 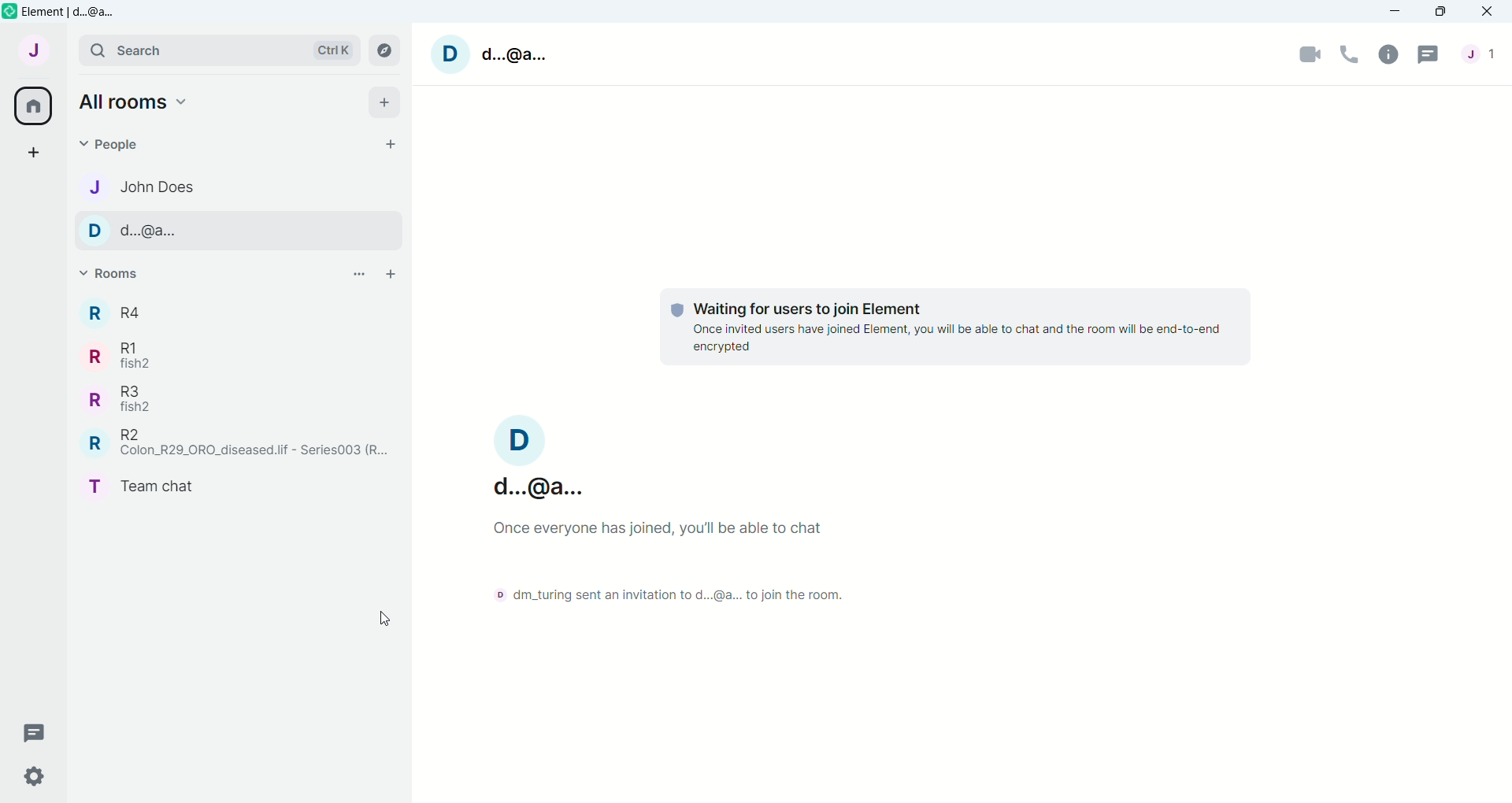 What do you see at coordinates (76, 11) in the screenshot?
I see `element | d...@a...` at bounding box center [76, 11].